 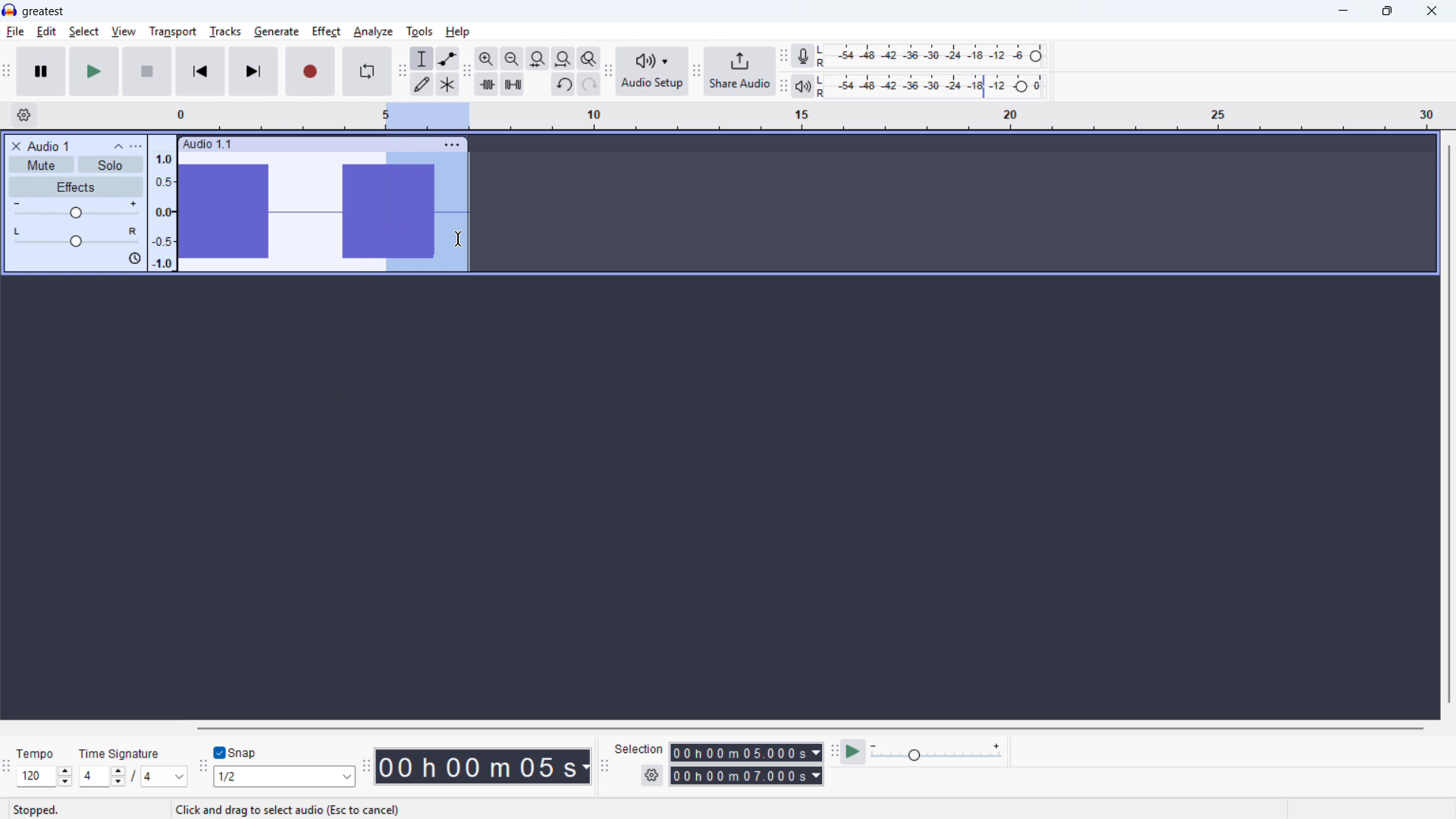 What do you see at coordinates (609, 73) in the screenshot?
I see `Audio setup toolbar ` at bounding box center [609, 73].